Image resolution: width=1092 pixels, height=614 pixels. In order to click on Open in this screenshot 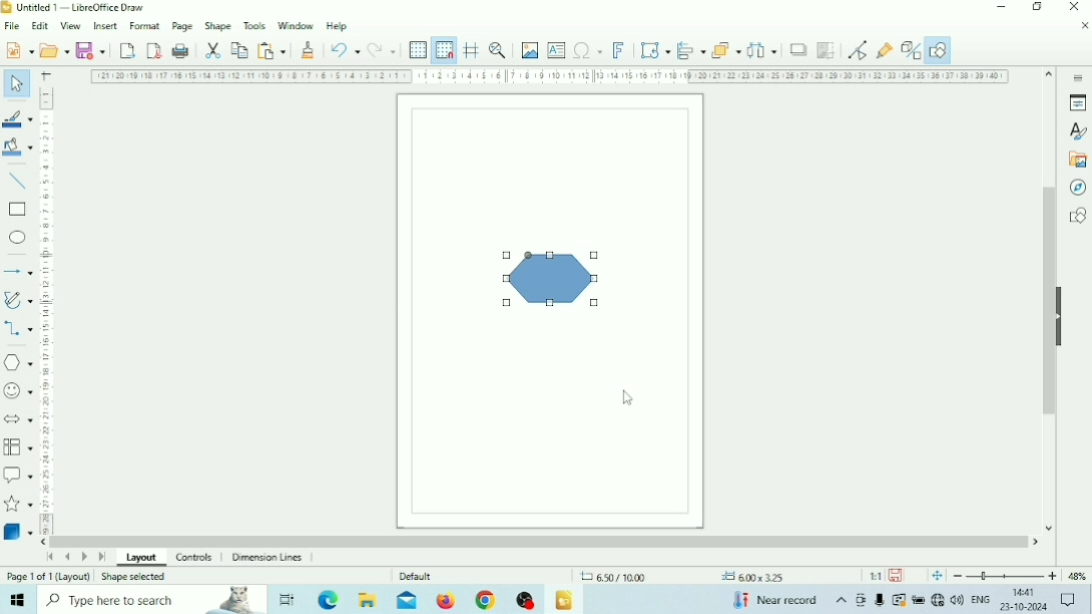, I will do `click(54, 50)`.